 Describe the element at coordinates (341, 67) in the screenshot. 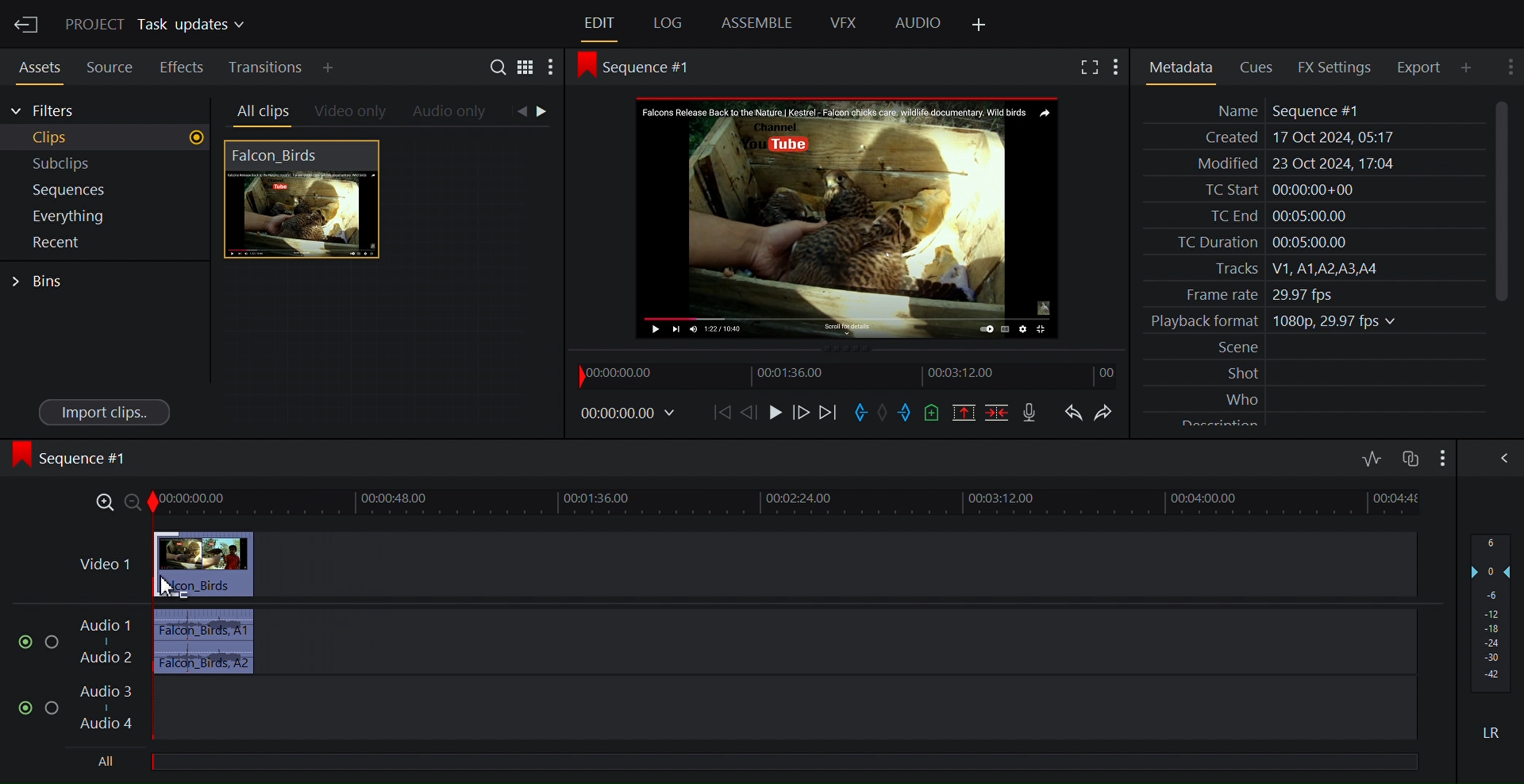

I see `Add` at that location.